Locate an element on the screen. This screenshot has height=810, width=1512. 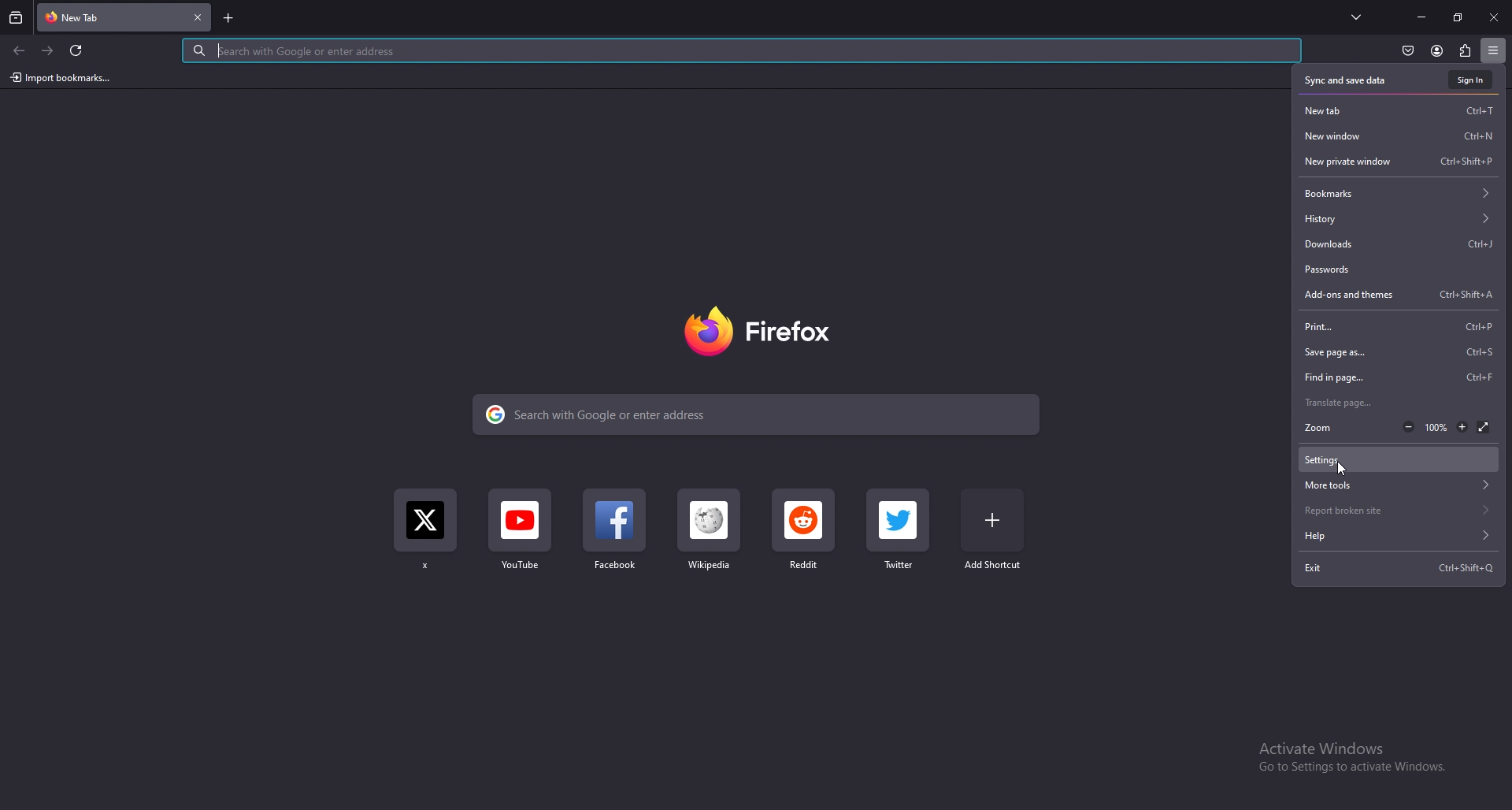
more tools is located at coordinates (1398, 486).